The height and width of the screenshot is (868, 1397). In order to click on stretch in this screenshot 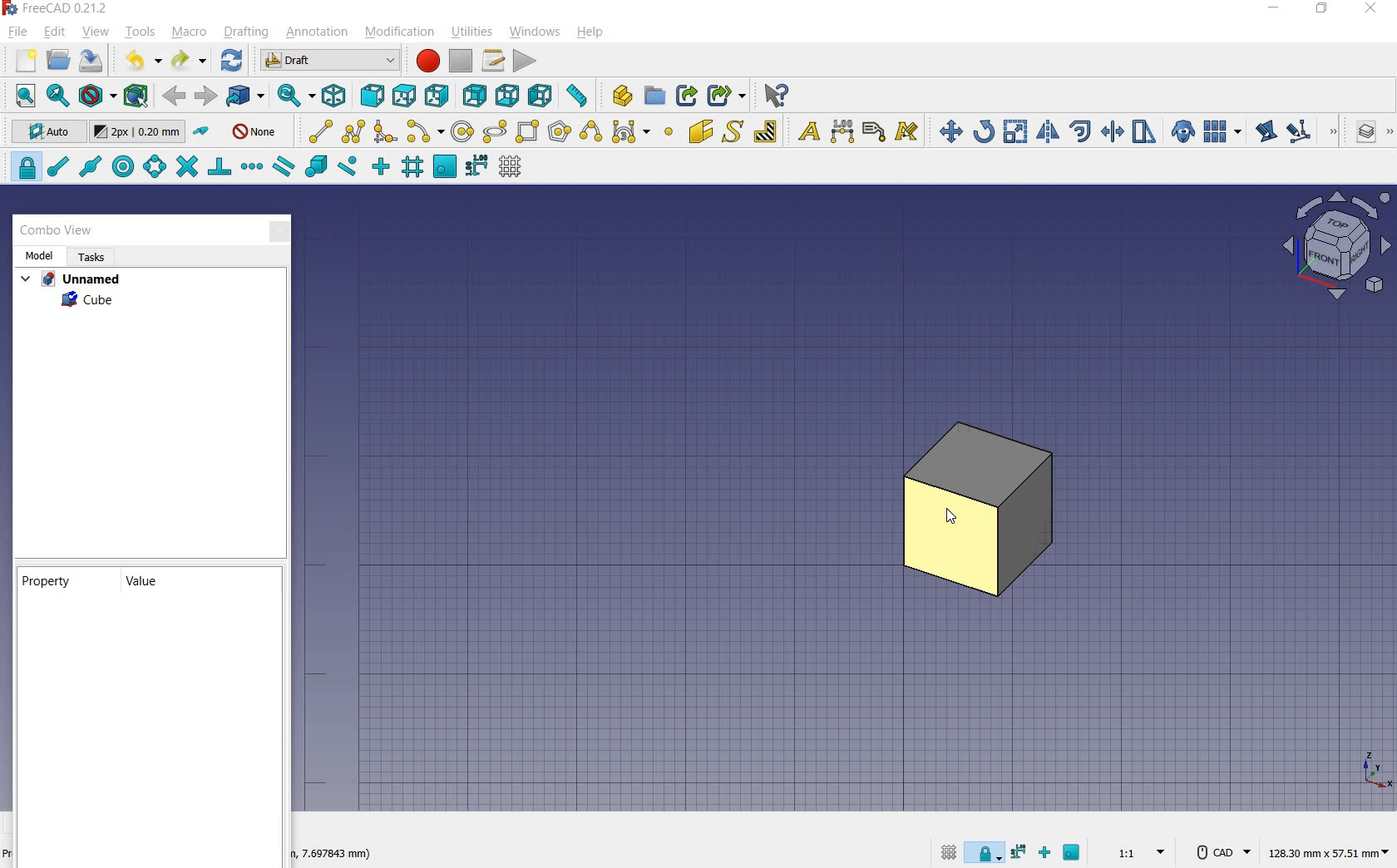, I will do `click(1144, 132)`.